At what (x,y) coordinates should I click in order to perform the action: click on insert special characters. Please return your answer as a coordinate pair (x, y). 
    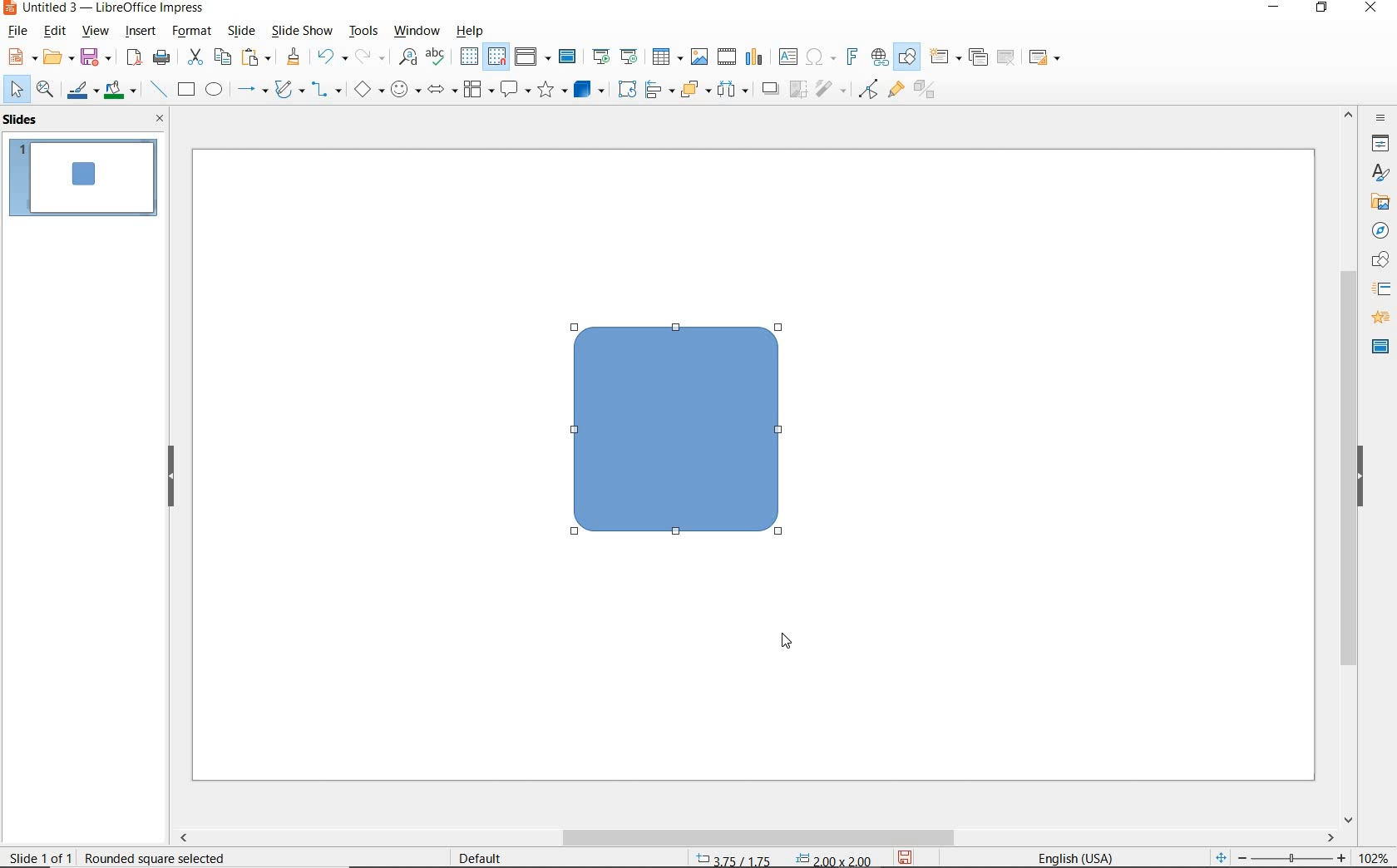
    Looking at the image, I should click on (821, 56).